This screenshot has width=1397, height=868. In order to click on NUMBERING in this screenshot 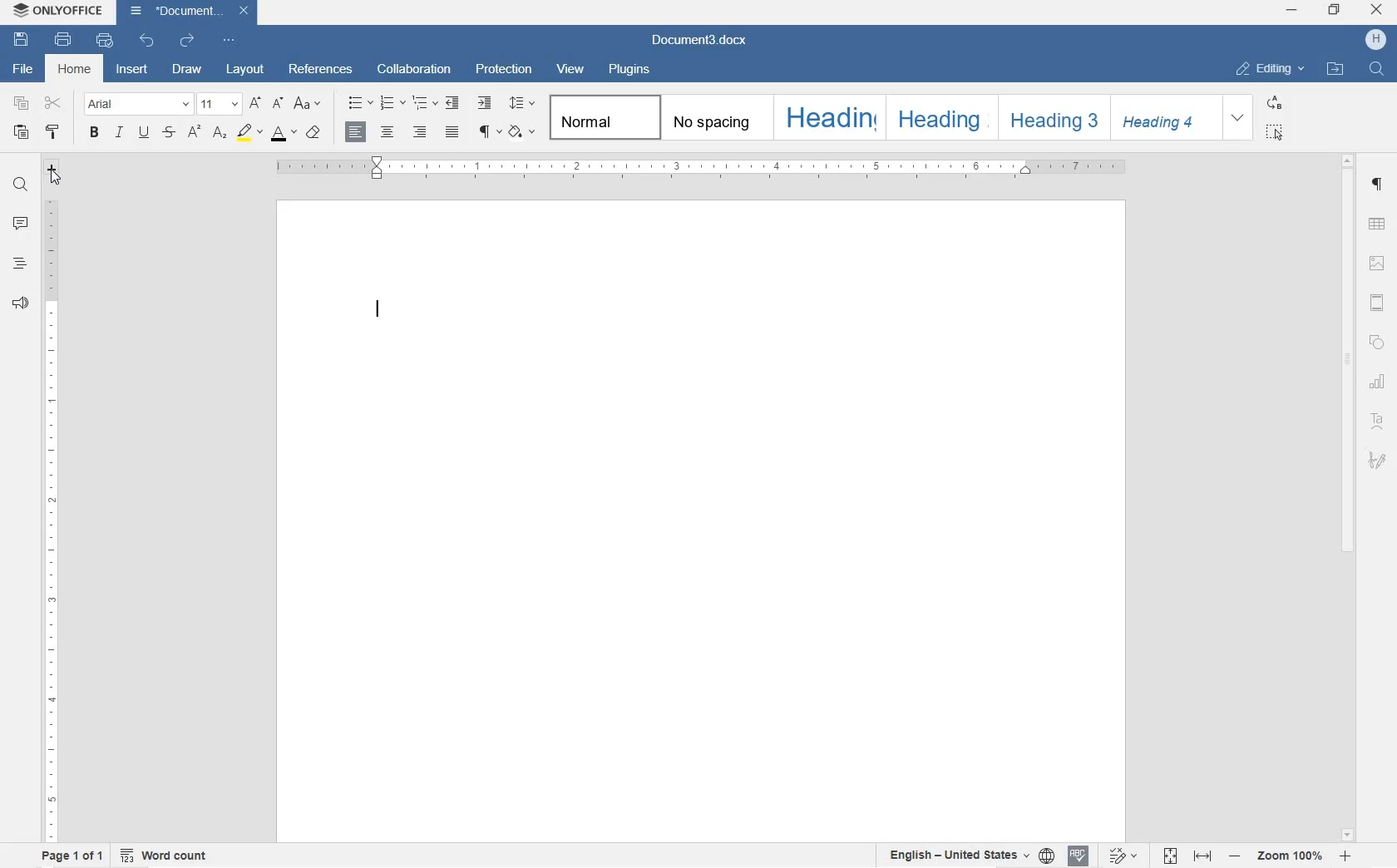, I will do `click(391, 104)`.